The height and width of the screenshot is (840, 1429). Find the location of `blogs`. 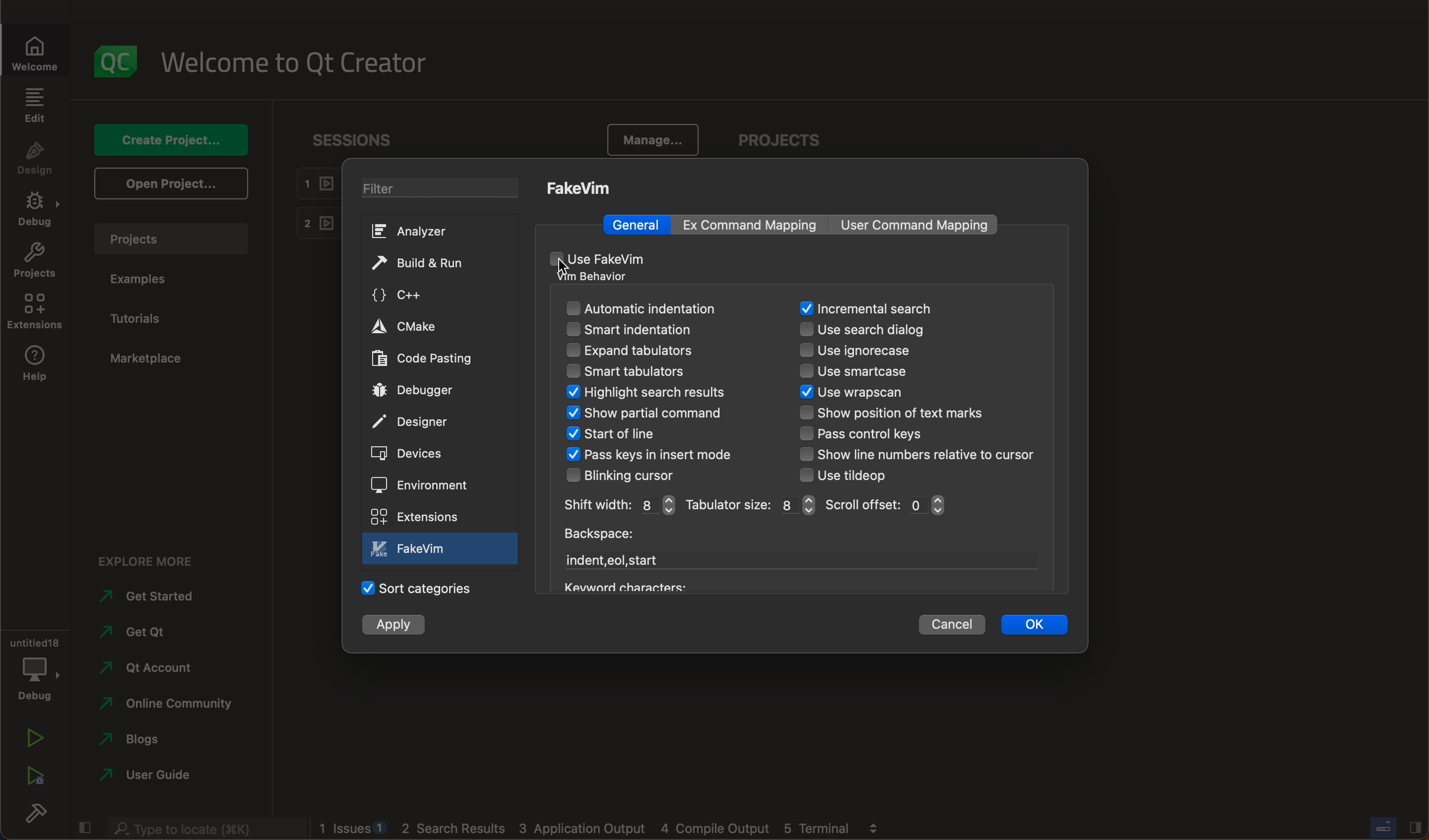

blogs is located at coordinates (158, 741).